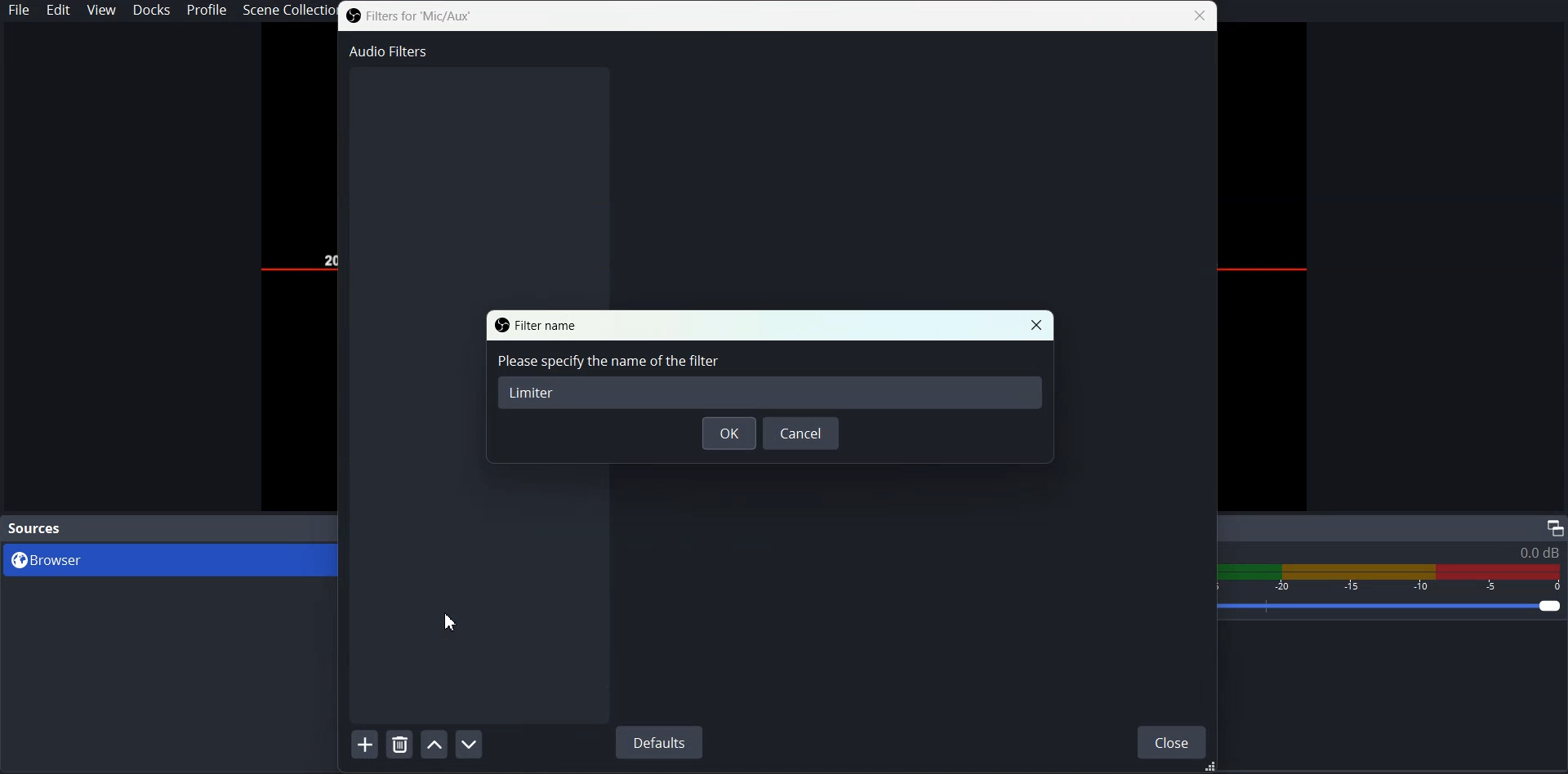 Image resolution: width=1568 pixels, height=774 pixels. Describe the element at coordinates (1539, 553) in the screenshot. I see `0.0 db` at that location.